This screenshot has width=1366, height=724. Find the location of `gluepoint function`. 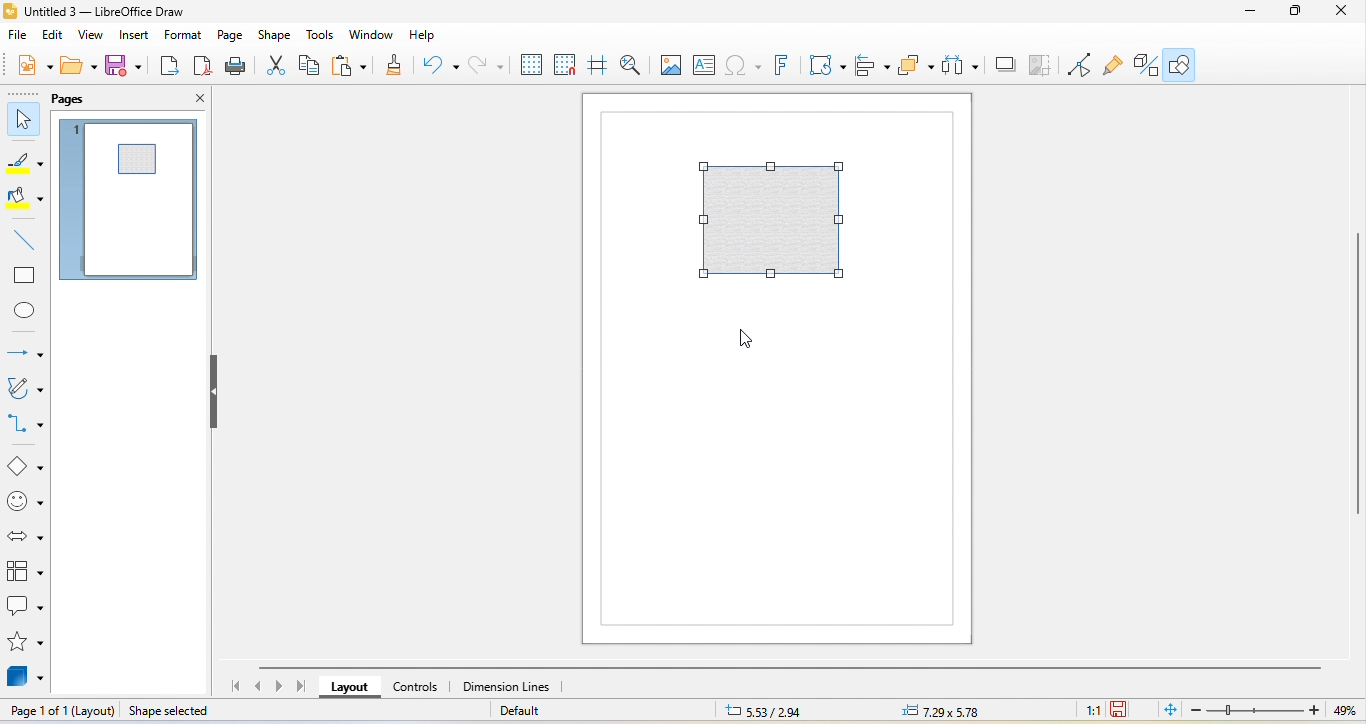

gluepoint function is located at coordinates (1114, 65).